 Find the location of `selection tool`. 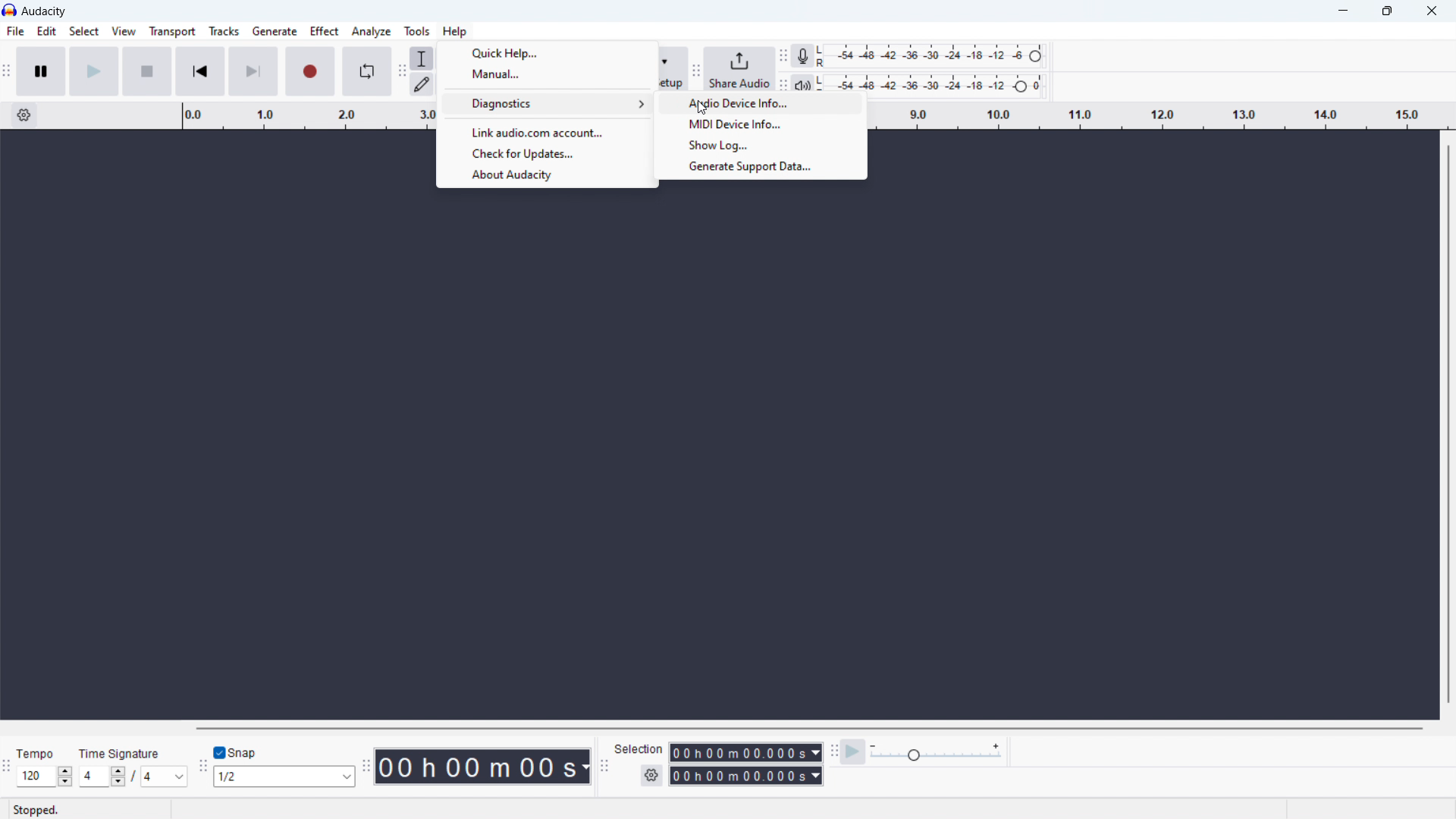

selection tool is located at coordinates (422, 58).